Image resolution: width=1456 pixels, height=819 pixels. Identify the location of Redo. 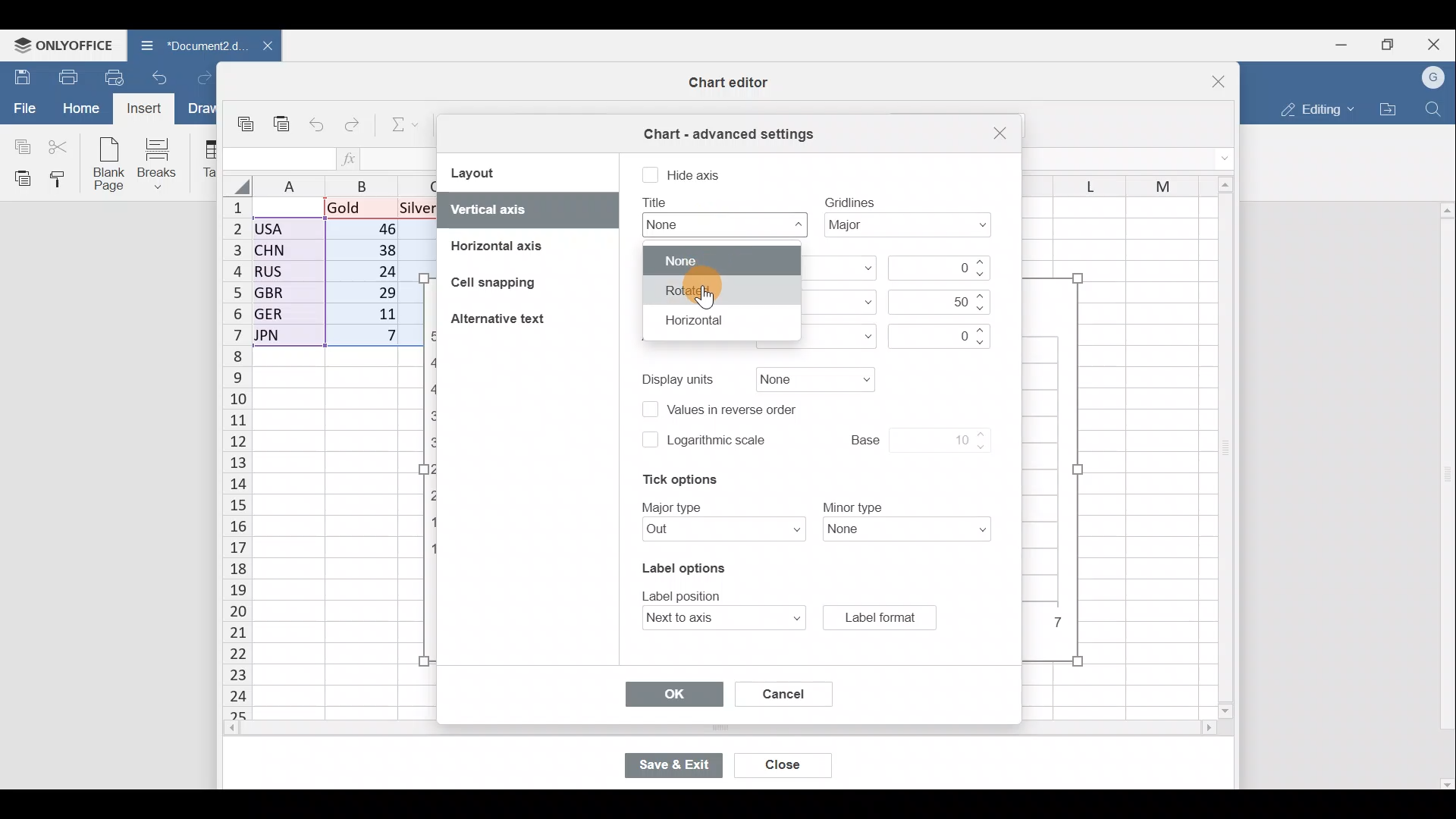
(205, 76).